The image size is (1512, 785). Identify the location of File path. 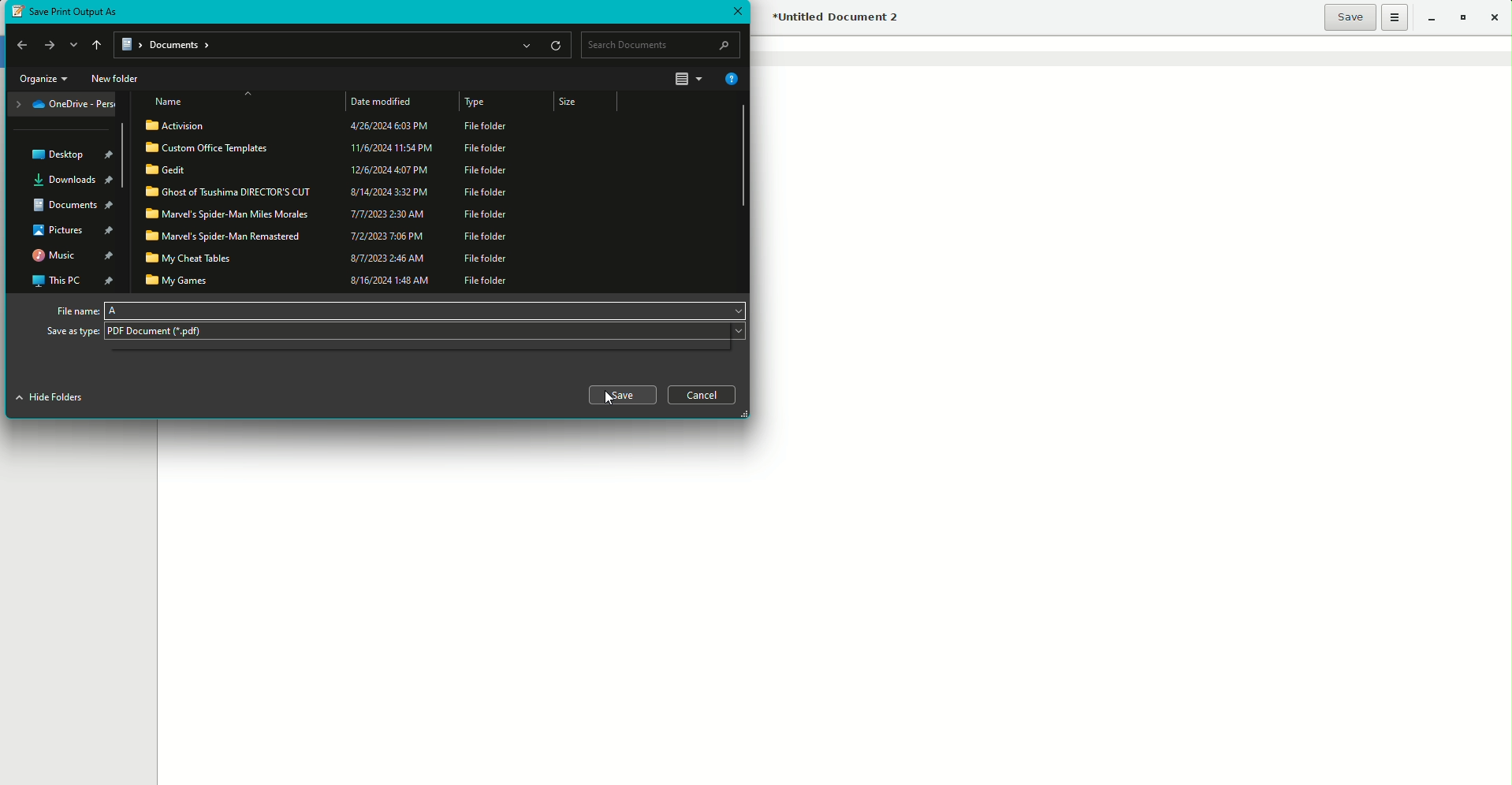
(344, 46).